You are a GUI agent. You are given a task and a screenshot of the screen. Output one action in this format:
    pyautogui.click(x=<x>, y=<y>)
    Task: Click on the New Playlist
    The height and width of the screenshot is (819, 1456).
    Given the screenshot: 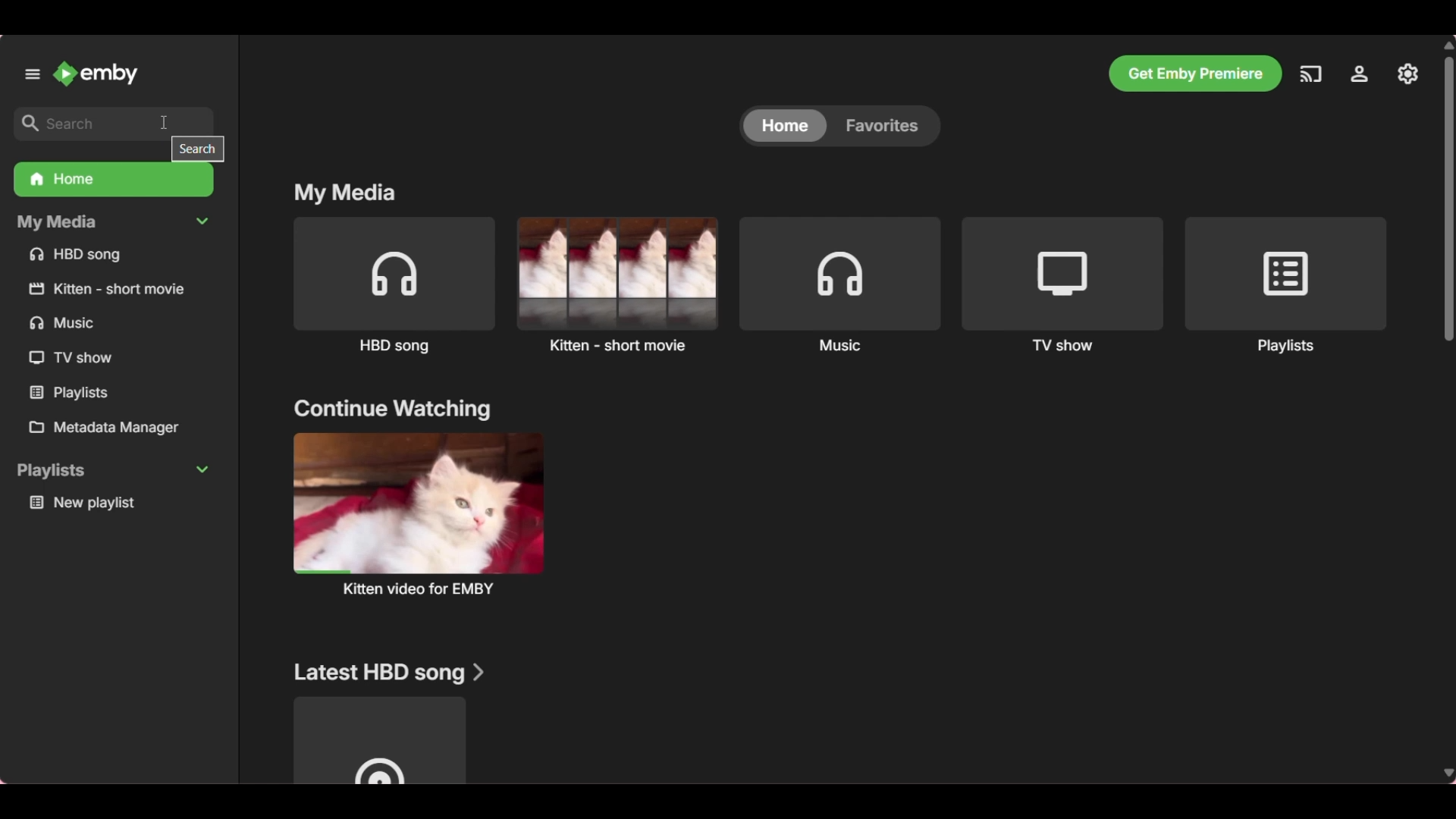 What is the action you would take?
    pyautogui.click(x=118, y=504)
    